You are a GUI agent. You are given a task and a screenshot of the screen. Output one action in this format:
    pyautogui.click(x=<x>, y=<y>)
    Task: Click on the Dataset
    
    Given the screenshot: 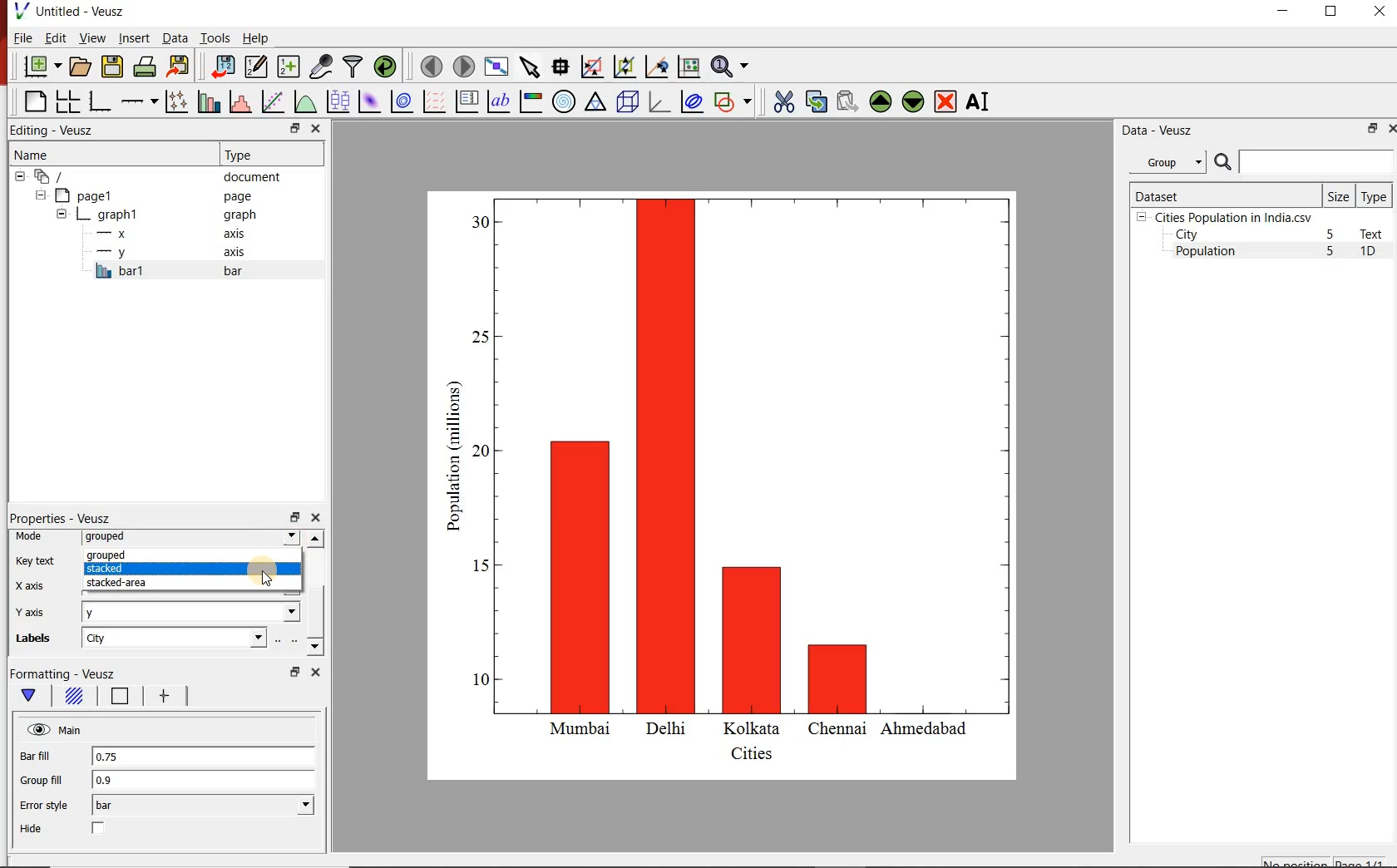 What is the action you would take?
    pyautogui.click(x=1223, y=195)
    